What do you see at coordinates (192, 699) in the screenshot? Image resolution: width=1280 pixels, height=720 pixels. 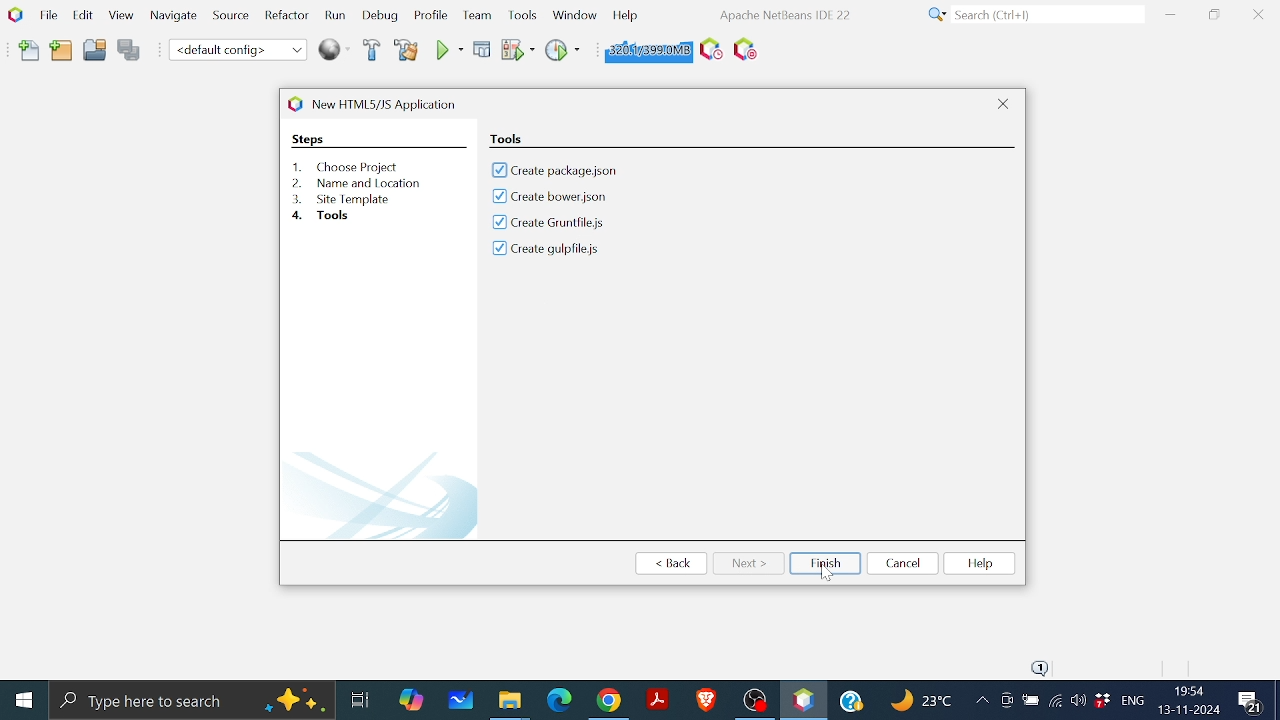 I see `Type here to search` at bounding box center [192, 699].